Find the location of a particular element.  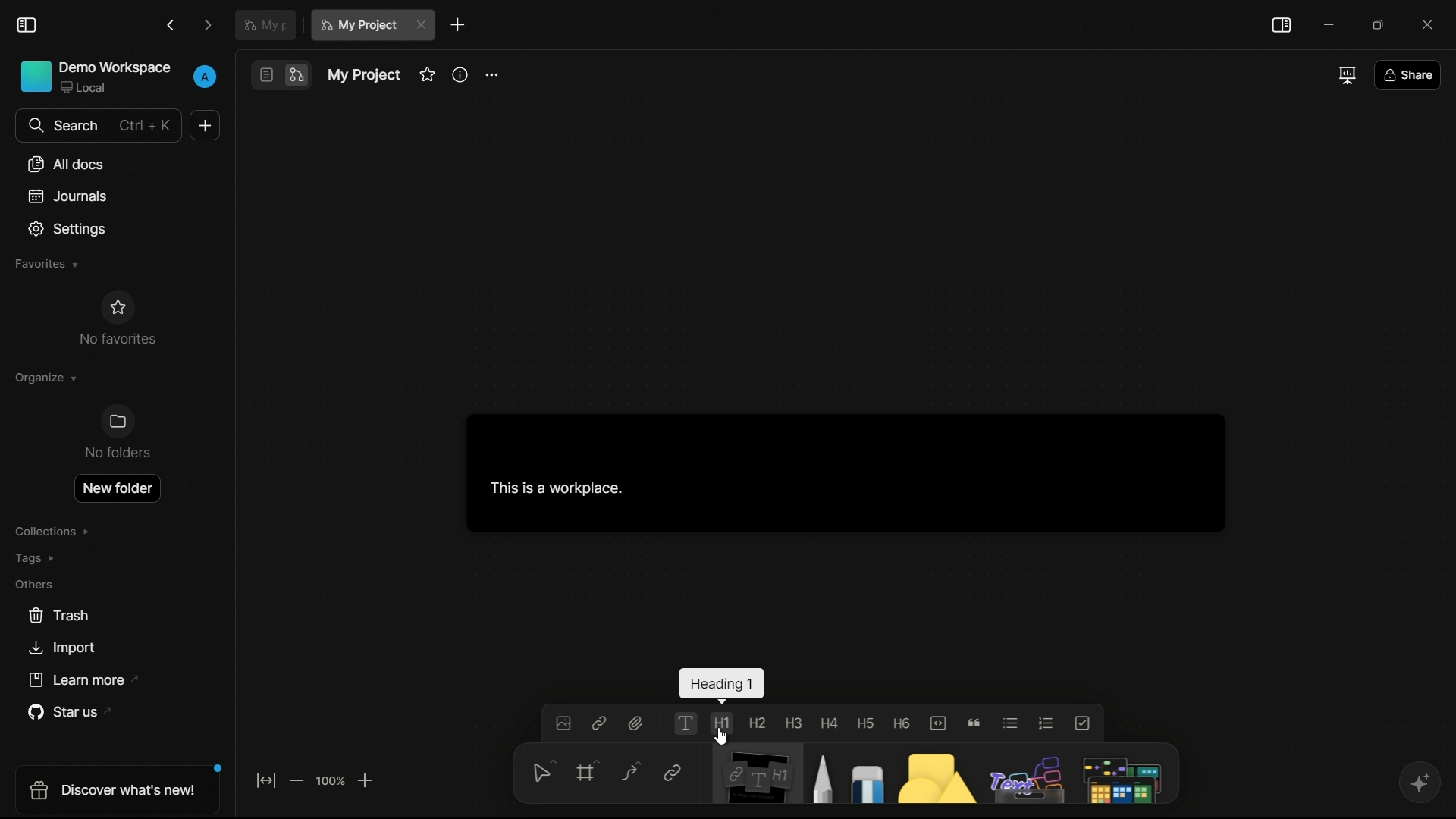

tags is located at coordinates (39, 559).